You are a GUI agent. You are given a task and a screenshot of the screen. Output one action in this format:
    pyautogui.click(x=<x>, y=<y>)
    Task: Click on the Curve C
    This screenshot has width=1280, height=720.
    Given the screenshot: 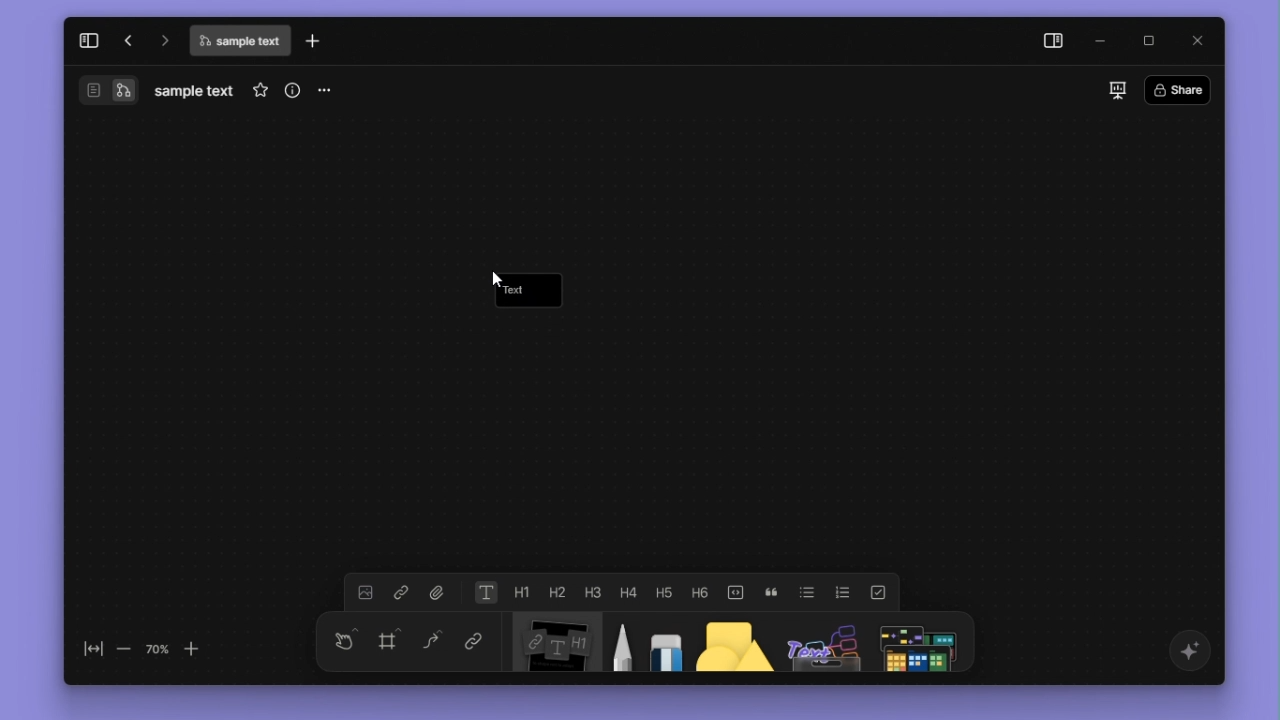 What is the action you would take?
    pyautogui.click(x=432, y=644)
    